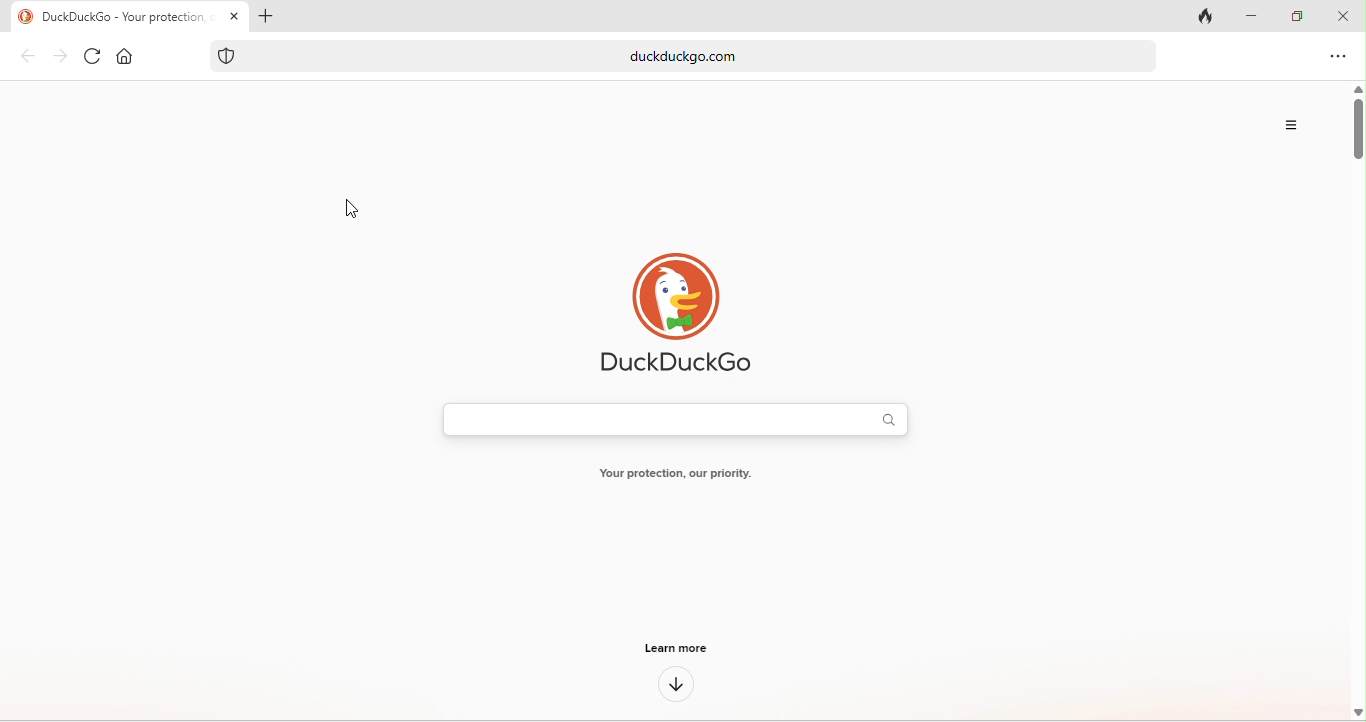  What do you see at coordinates (95, 53) in the screenshot?
I see `refresh` at bounding box center [95, 53].